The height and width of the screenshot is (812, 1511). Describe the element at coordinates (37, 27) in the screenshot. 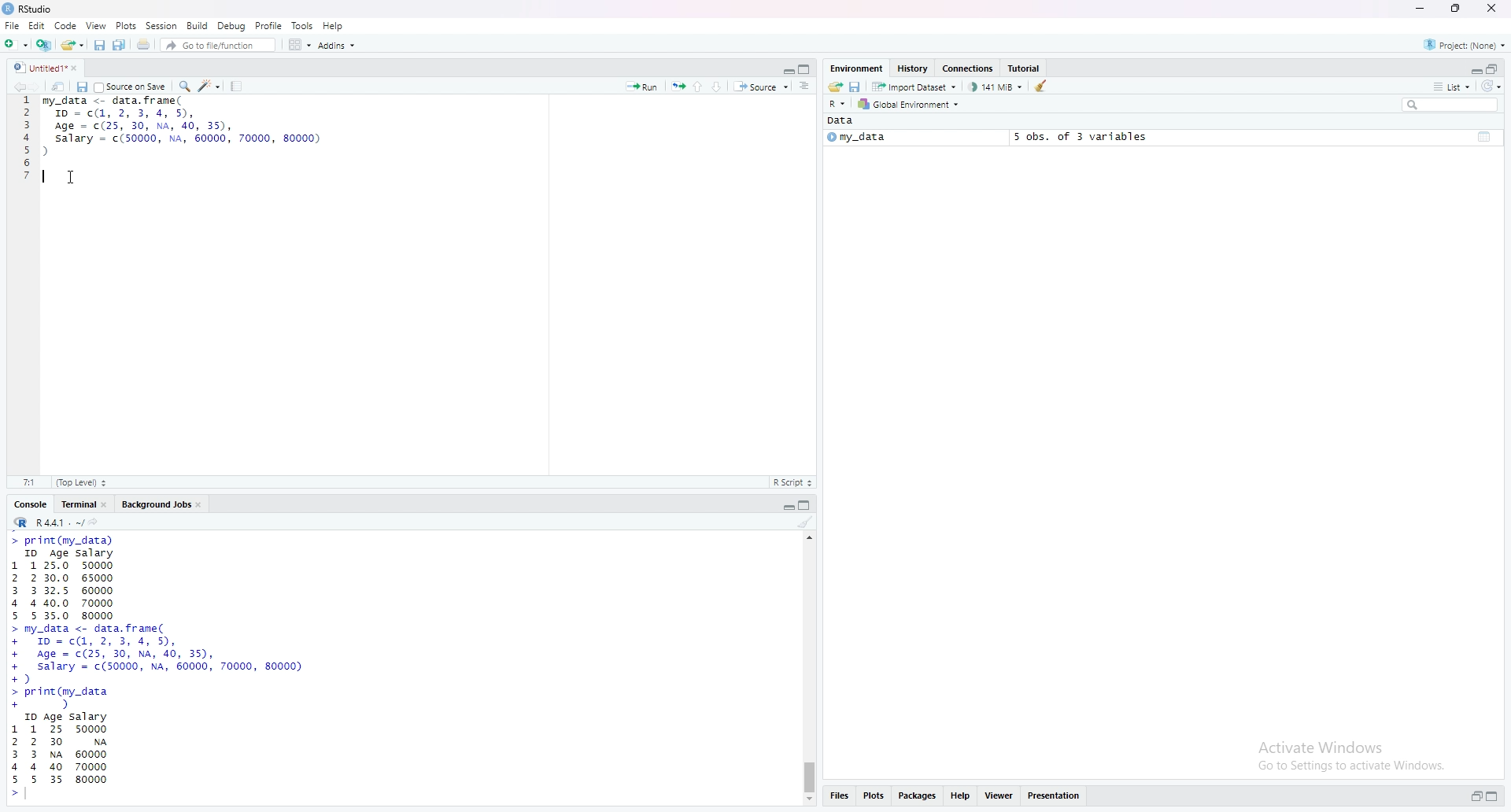

I see `Edit` at that location.